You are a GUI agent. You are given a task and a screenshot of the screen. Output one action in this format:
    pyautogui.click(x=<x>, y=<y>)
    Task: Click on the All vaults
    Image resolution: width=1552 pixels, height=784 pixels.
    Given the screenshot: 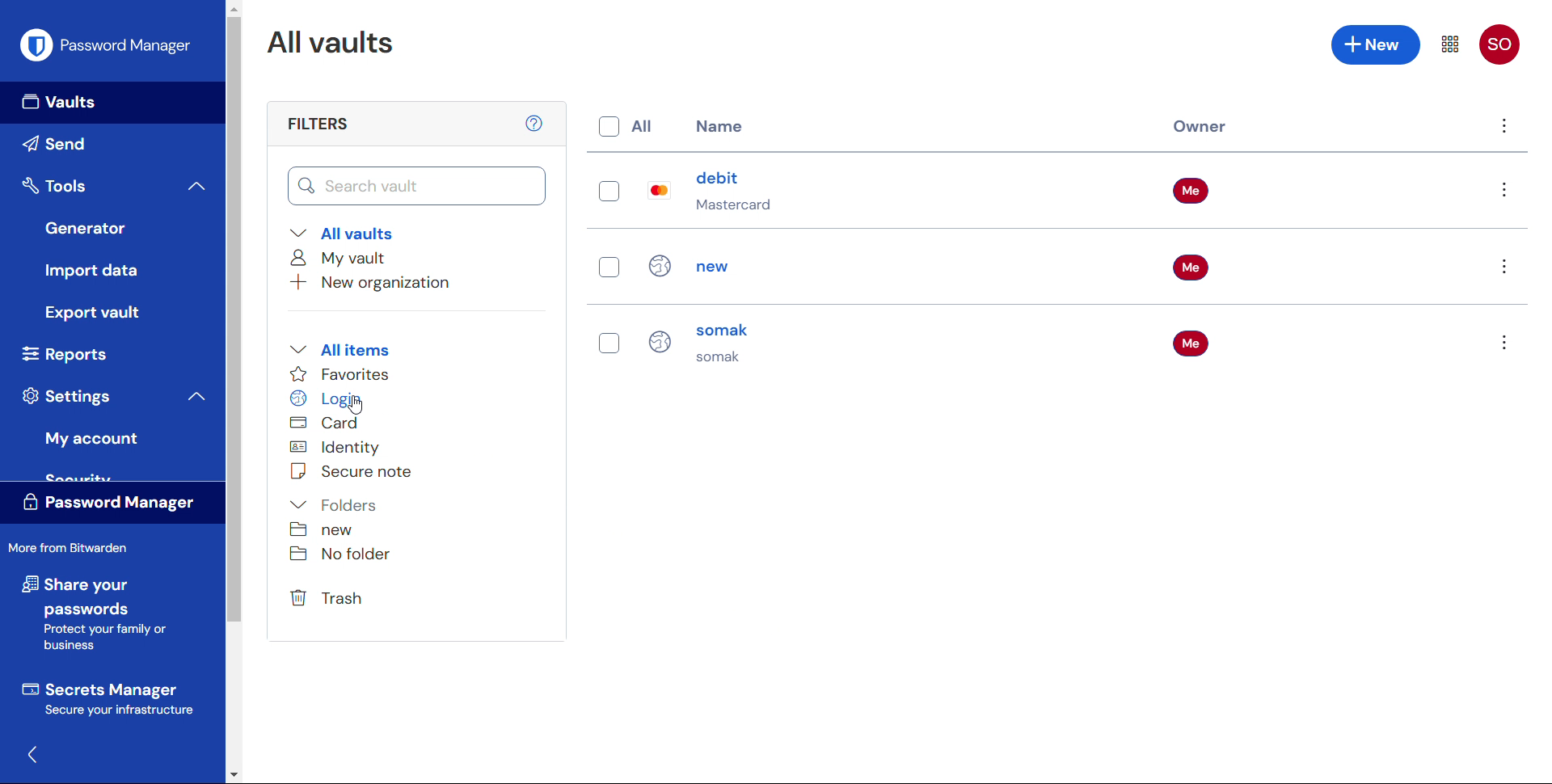 What is the action you would take?
    pyautogui.click(x=333, y=44)
    